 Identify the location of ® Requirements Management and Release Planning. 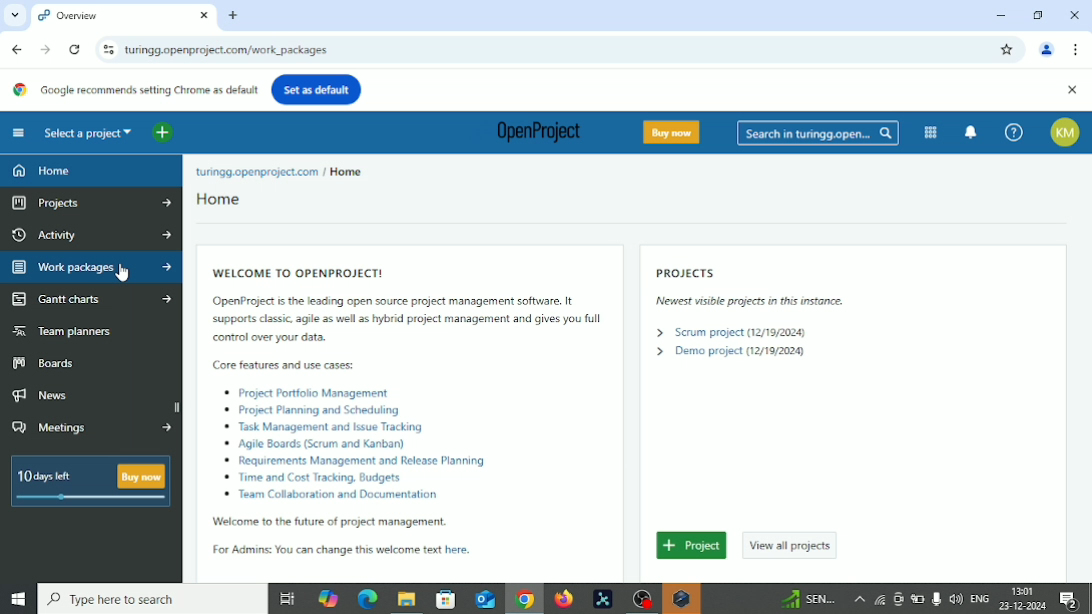
(352, 461).